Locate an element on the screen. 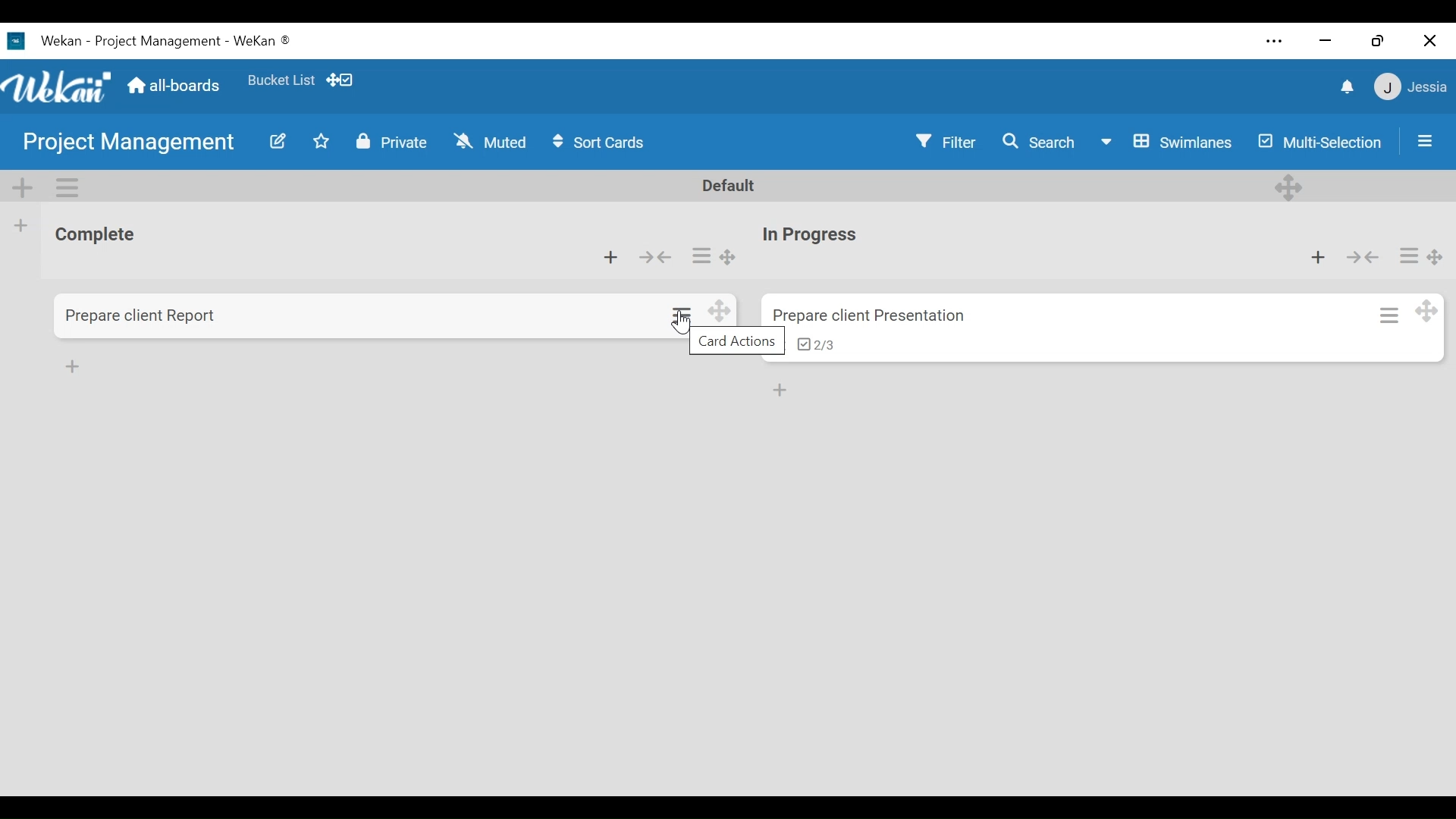 The height and width of the screenshot is (819, 1456). Cursor is located at coordinates (684, 322).